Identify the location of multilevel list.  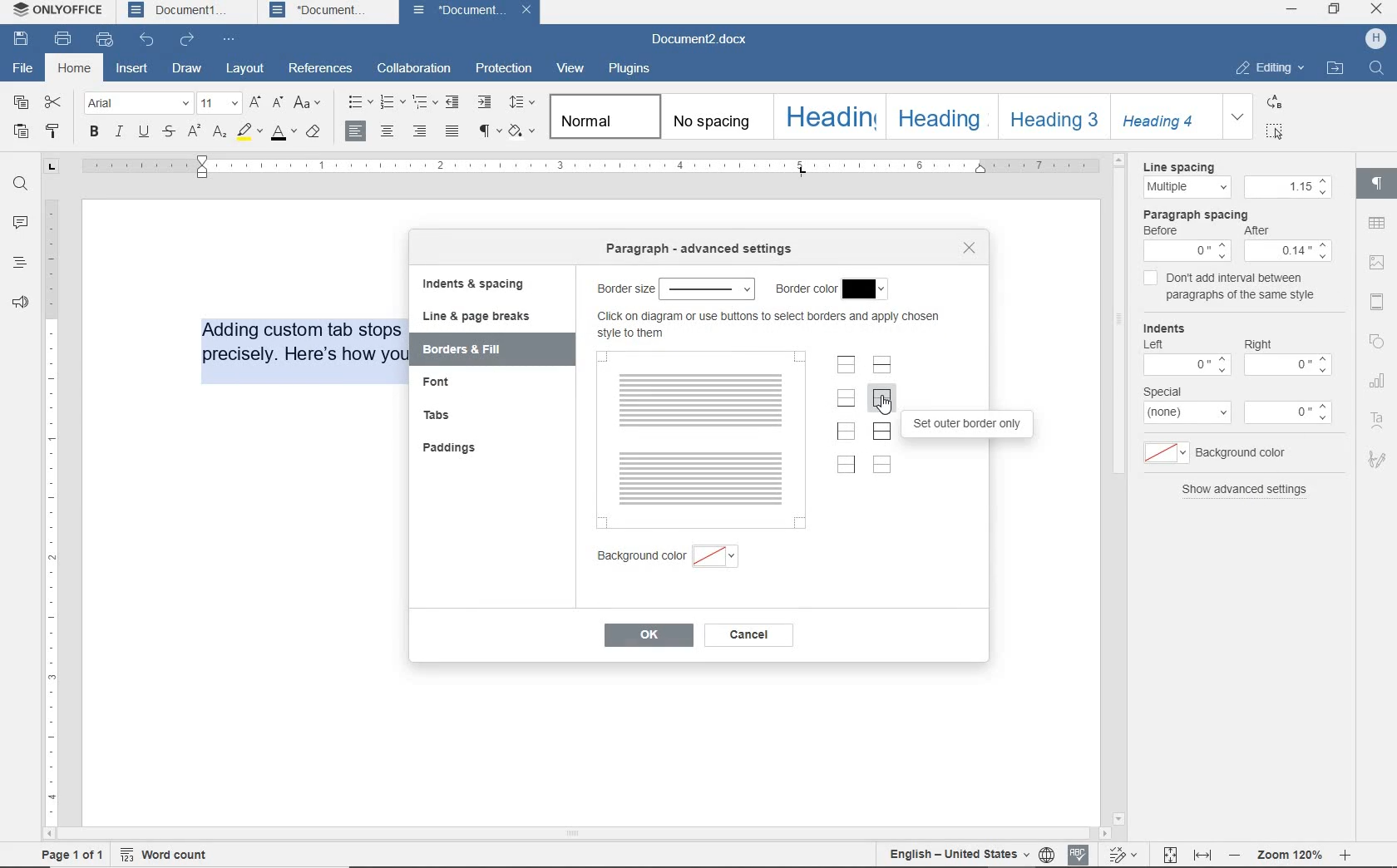
(422, 100).